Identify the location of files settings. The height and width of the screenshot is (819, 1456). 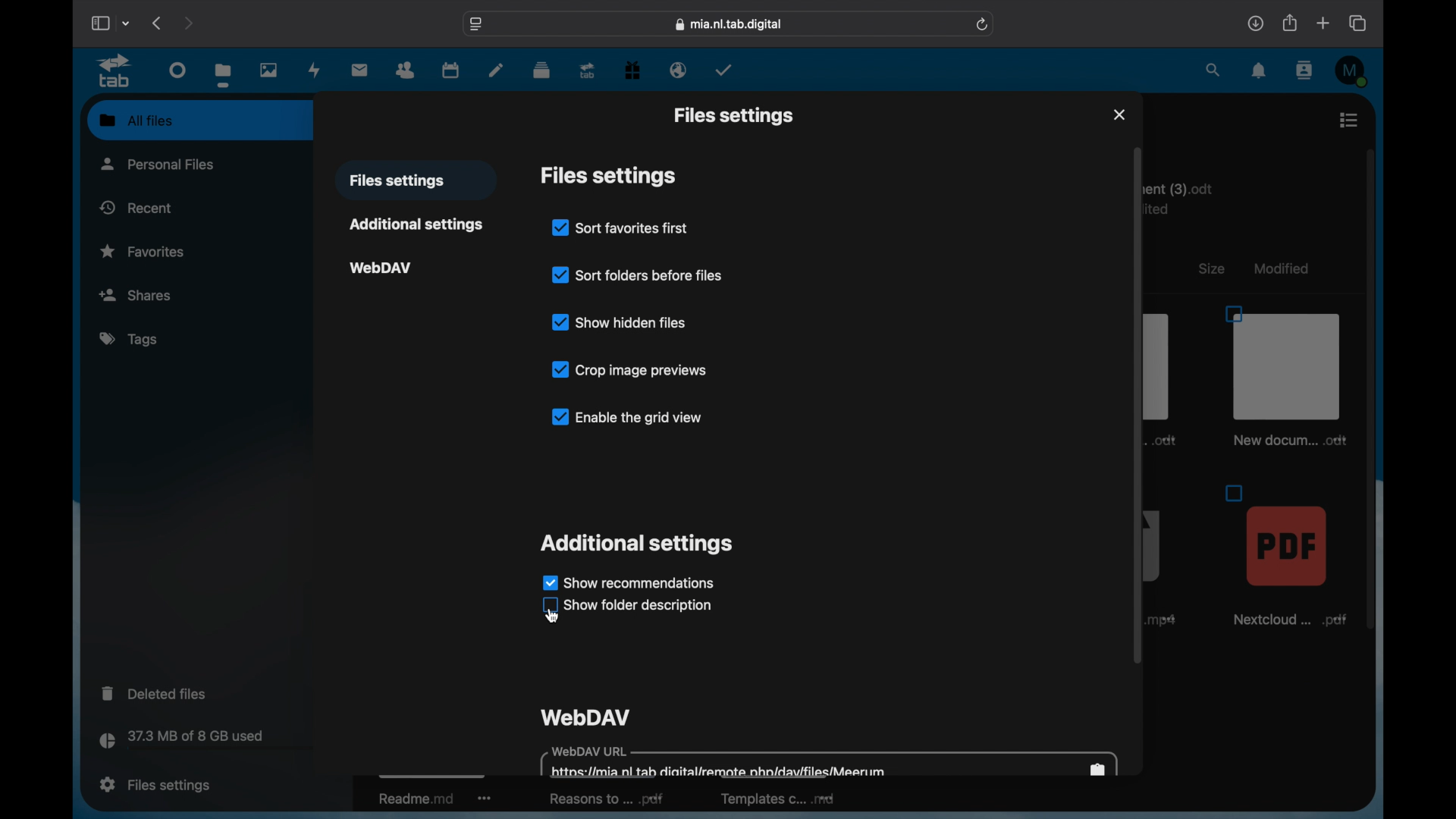
(397, 181).